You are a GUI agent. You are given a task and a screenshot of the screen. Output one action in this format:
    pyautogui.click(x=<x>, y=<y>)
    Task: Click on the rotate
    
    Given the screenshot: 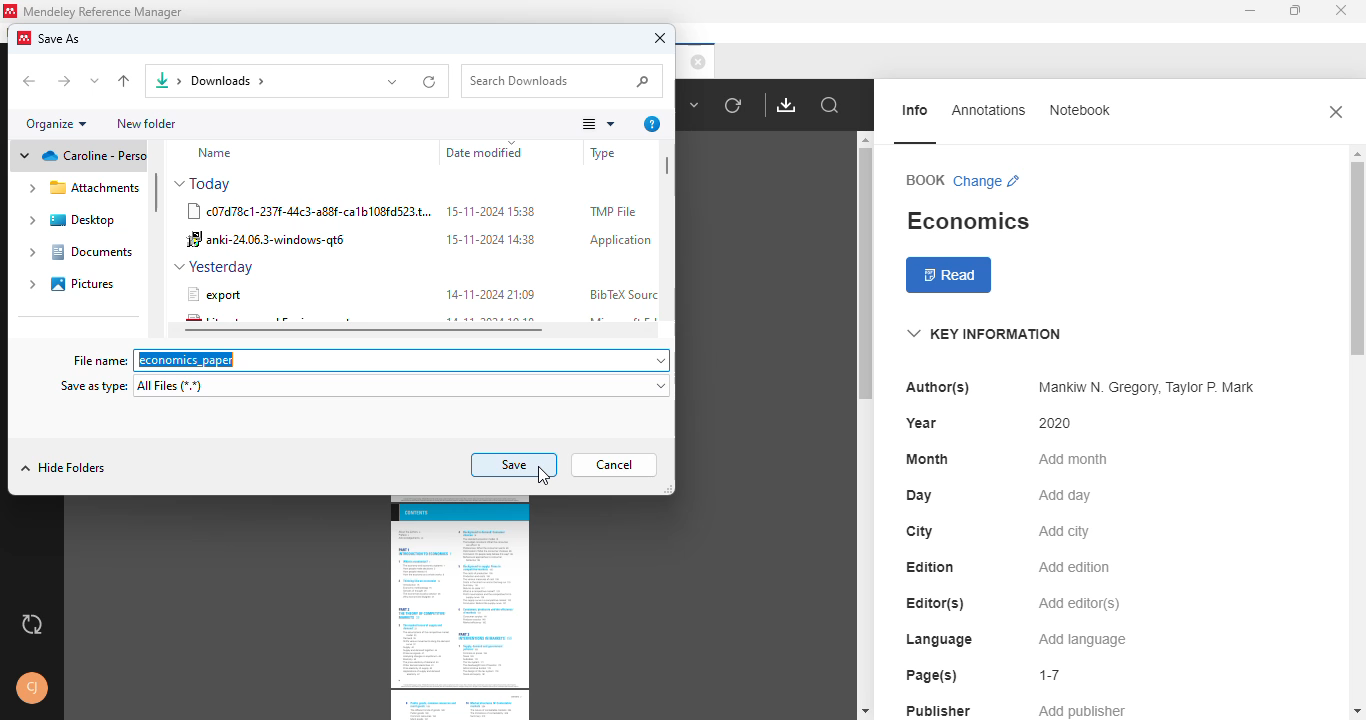 What is the action you would take?
    pyautogui.click(x=733, y=105)
    